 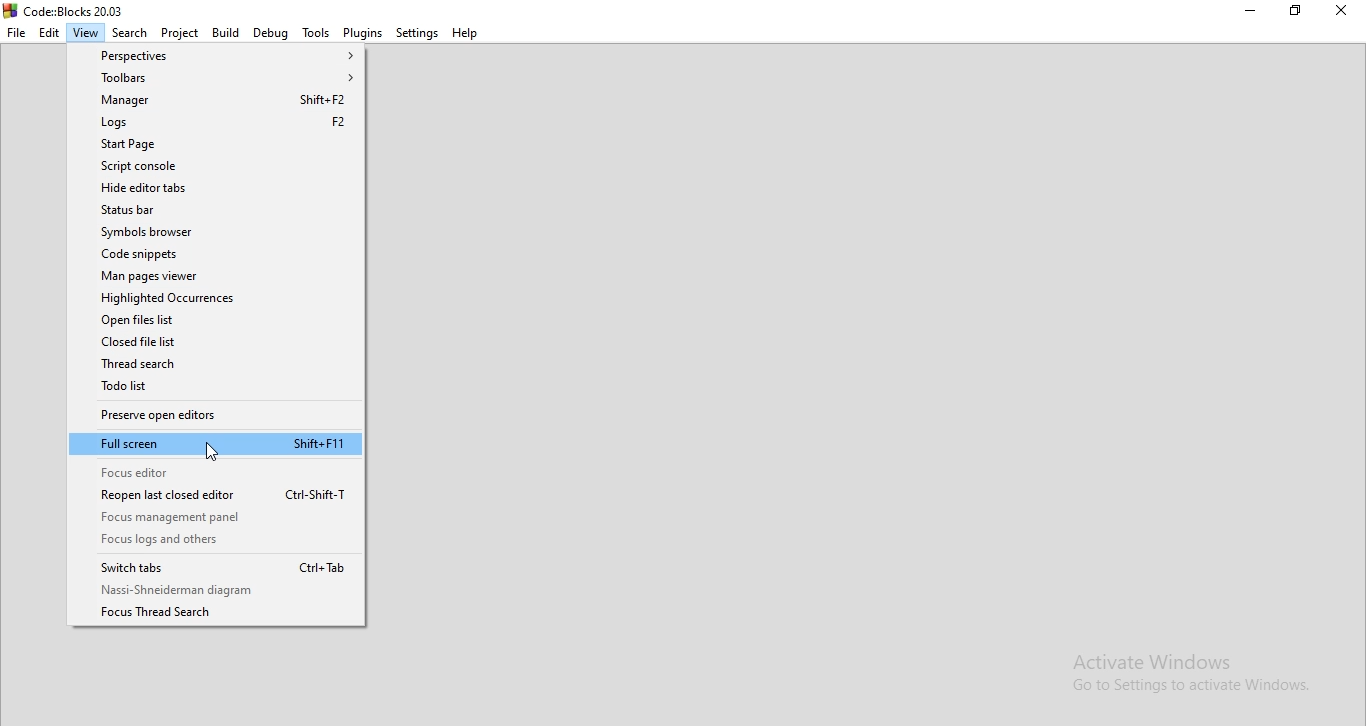 I want to click on Preserve open editors, so click(x=215, y=415).